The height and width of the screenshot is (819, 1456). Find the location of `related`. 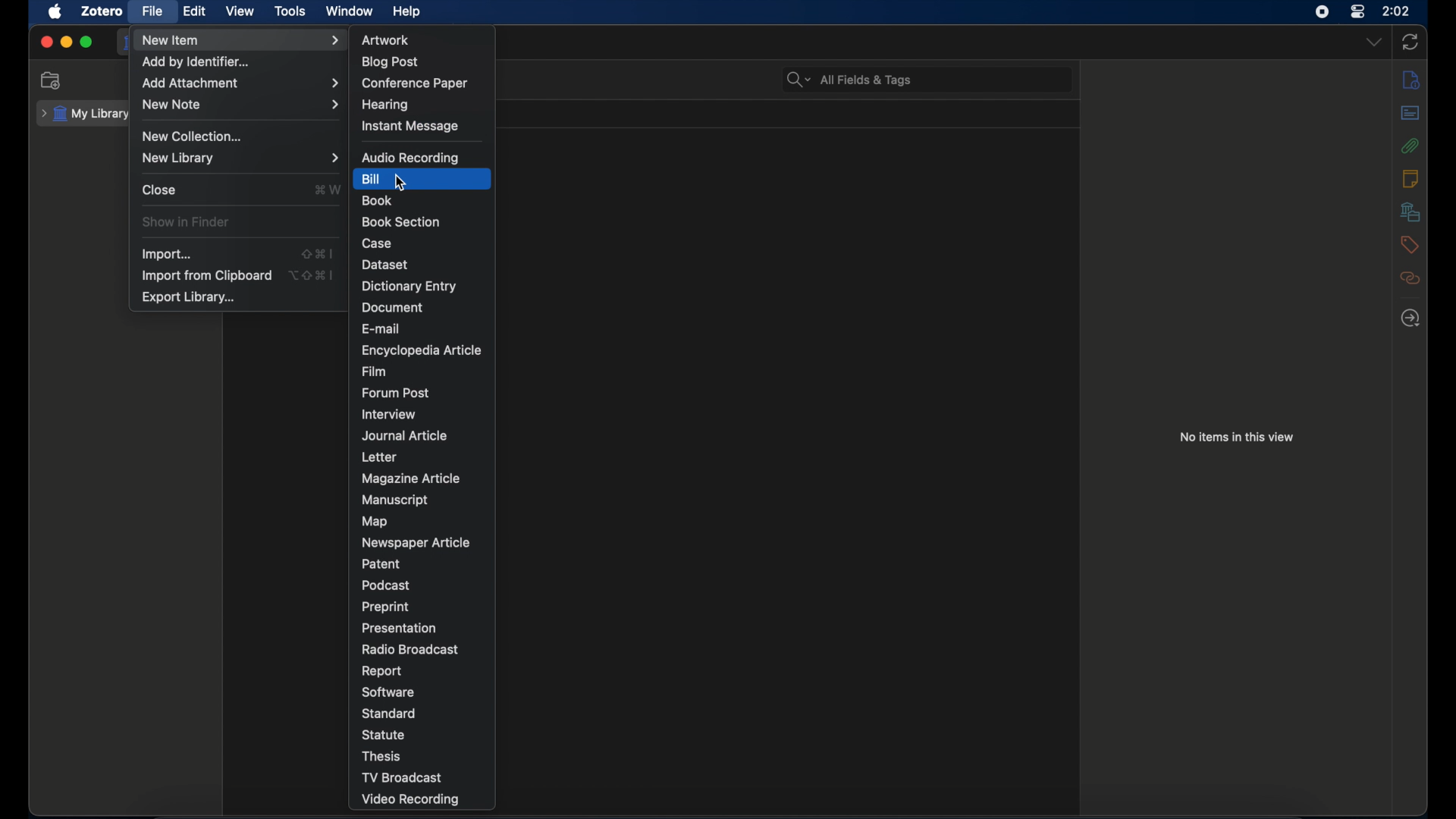

related is located at coordinates (1409, 278).